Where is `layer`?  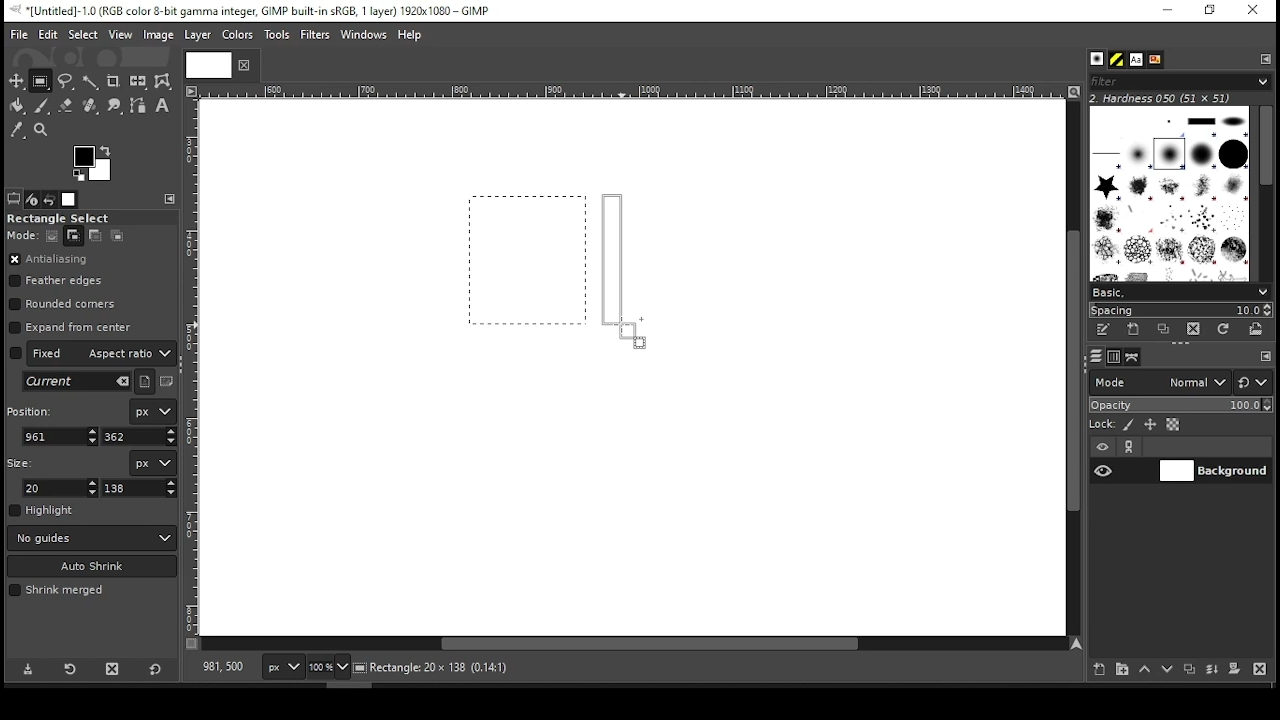 layer is located at coordinates (196, 35).